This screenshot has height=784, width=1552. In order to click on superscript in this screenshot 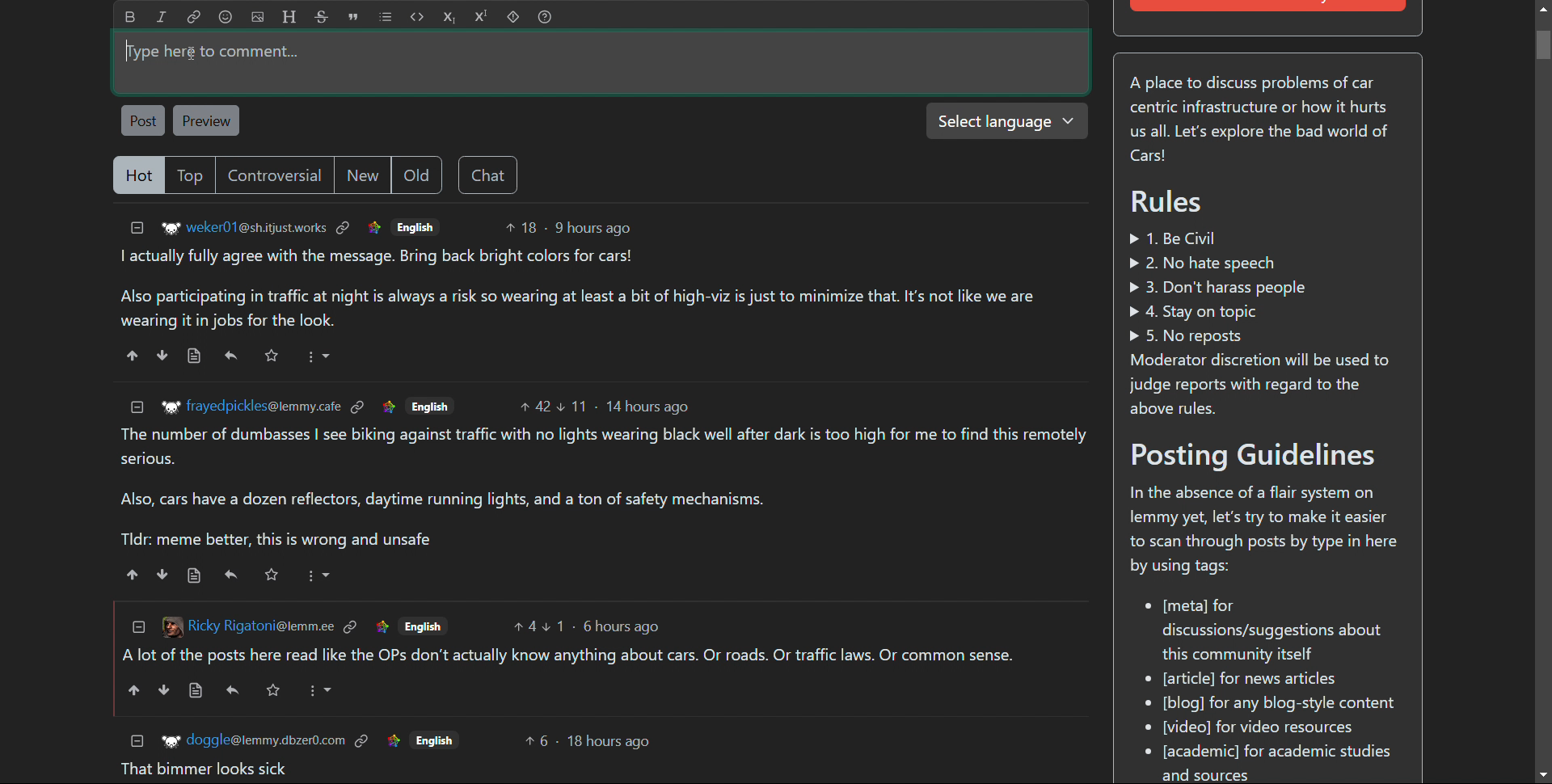, I will do `click(482, 17)`.